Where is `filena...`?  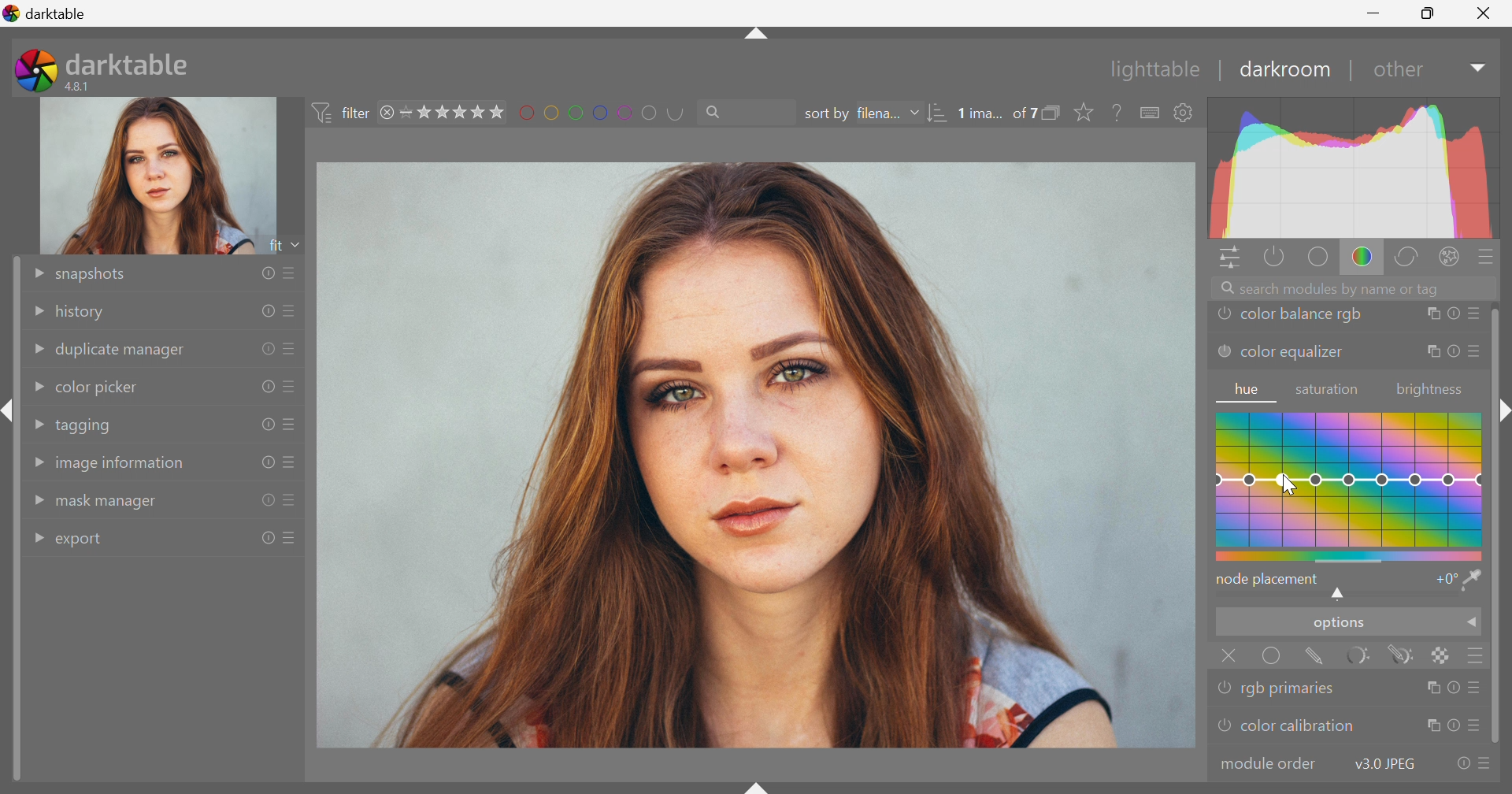 filena... is located at coordinates (880, 112).